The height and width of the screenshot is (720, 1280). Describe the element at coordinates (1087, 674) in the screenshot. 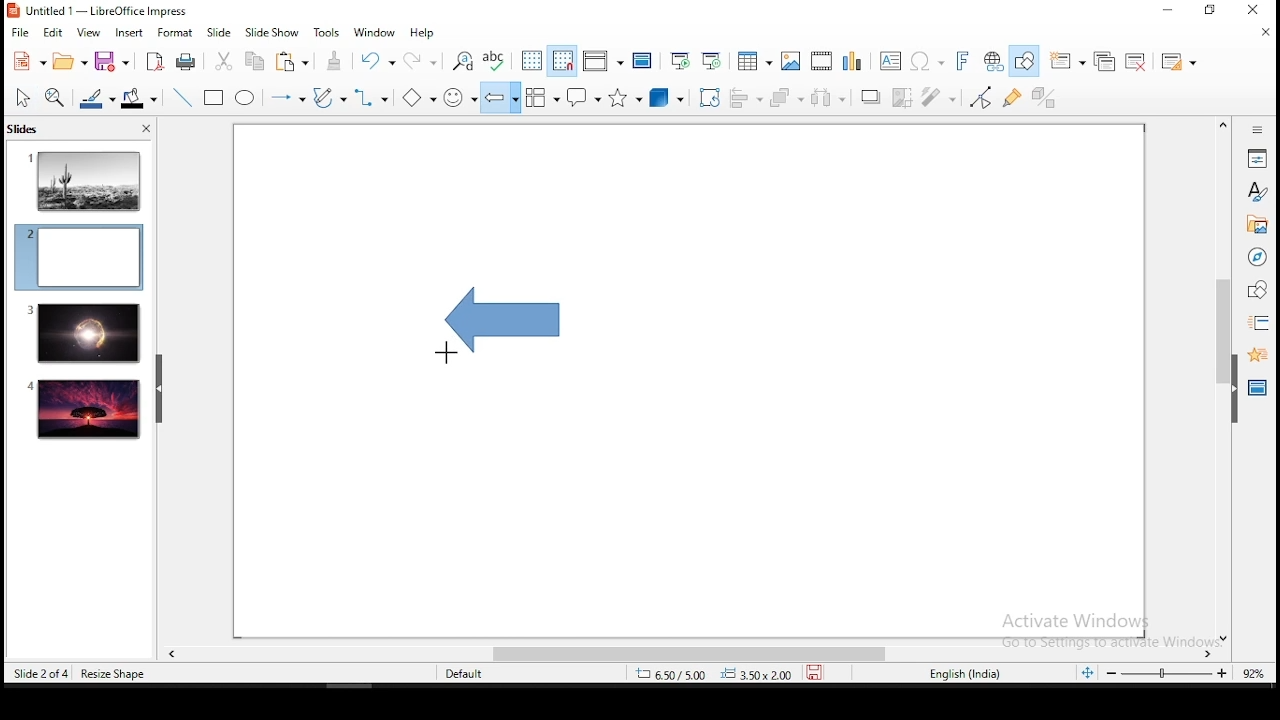

I see `fit to screen` at that location.